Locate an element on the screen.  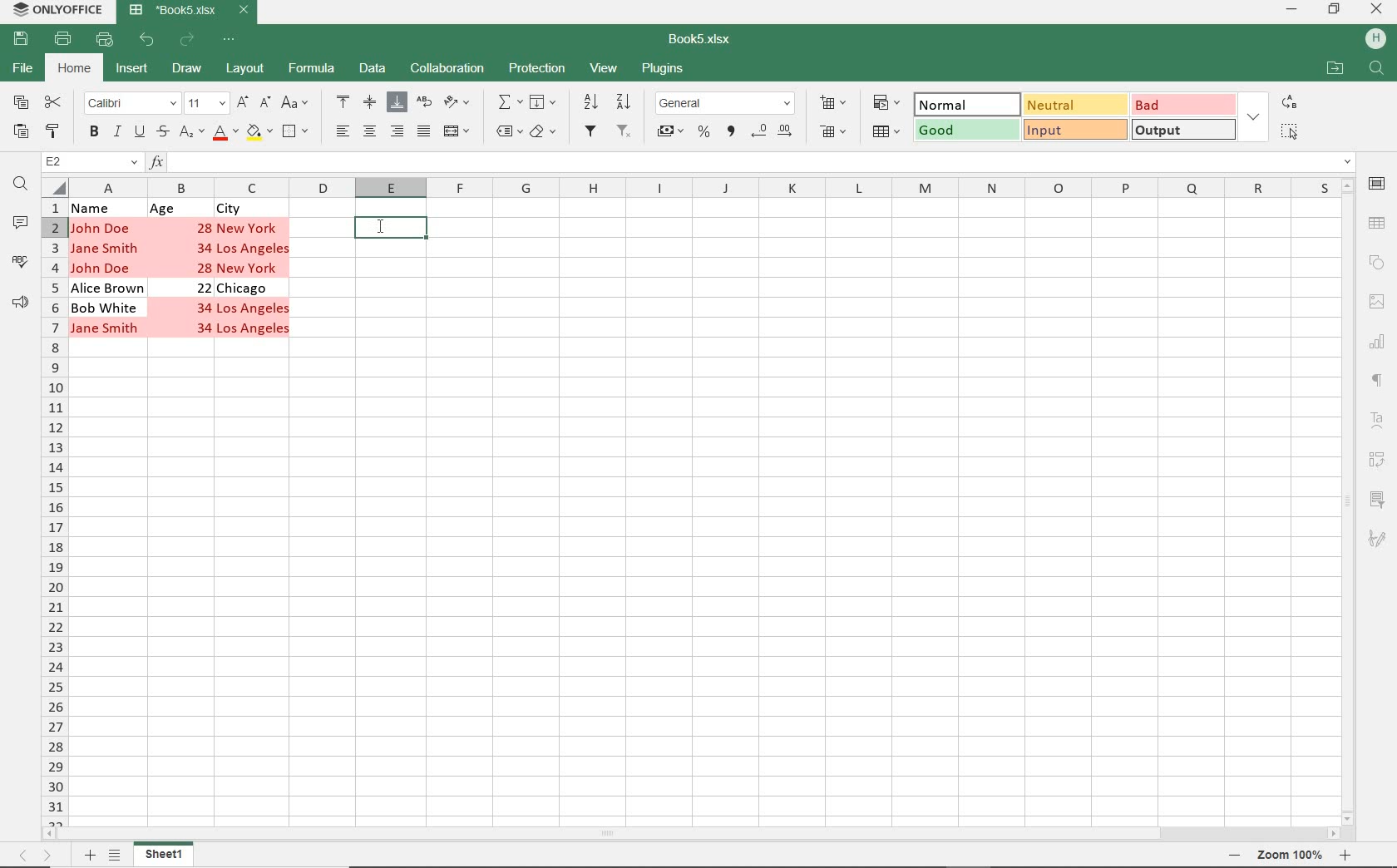
STRIKETHROUGH is located at coordinates (161, 133).